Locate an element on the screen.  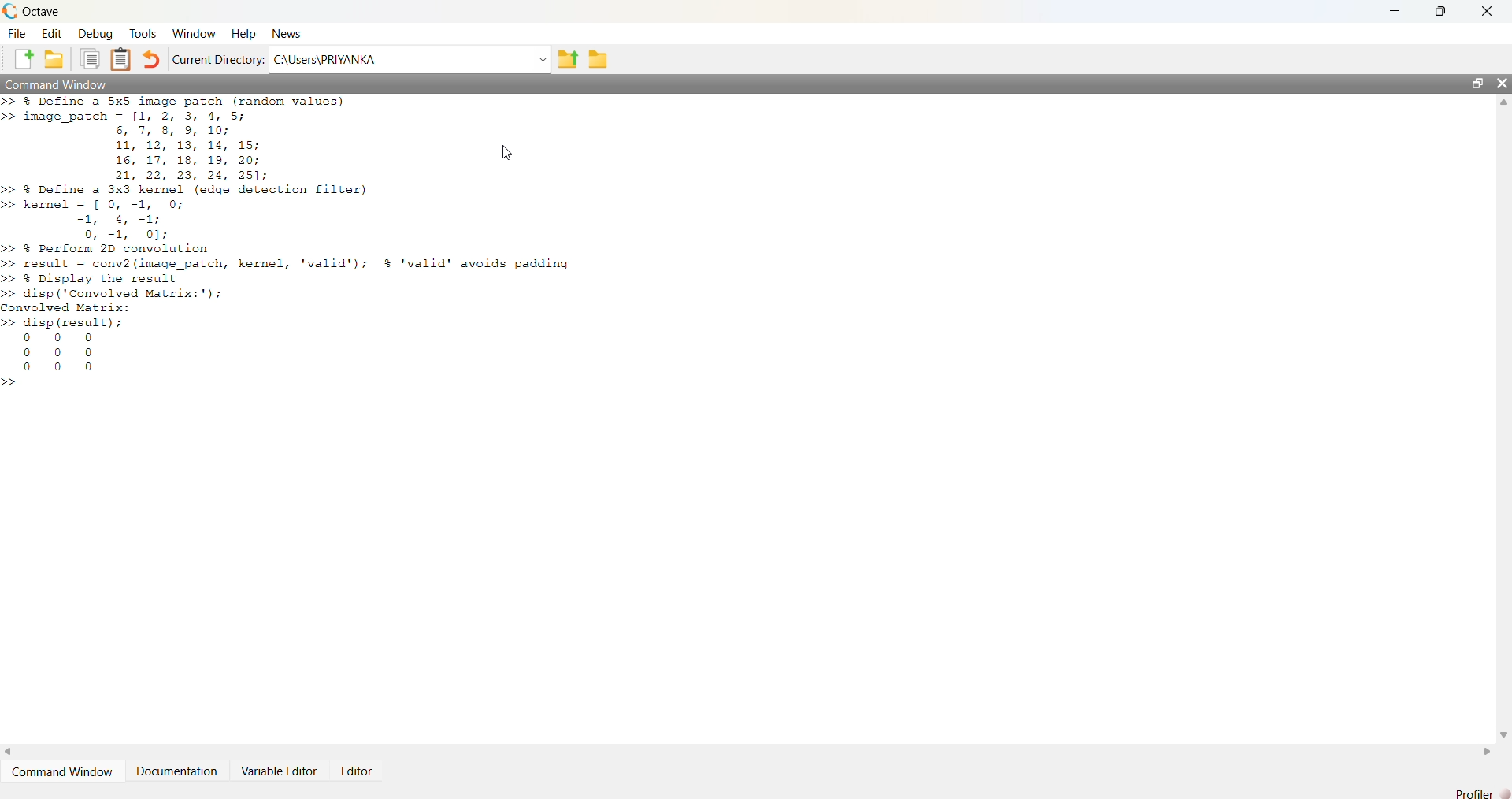
Octave is located at coordinates (37, 13).